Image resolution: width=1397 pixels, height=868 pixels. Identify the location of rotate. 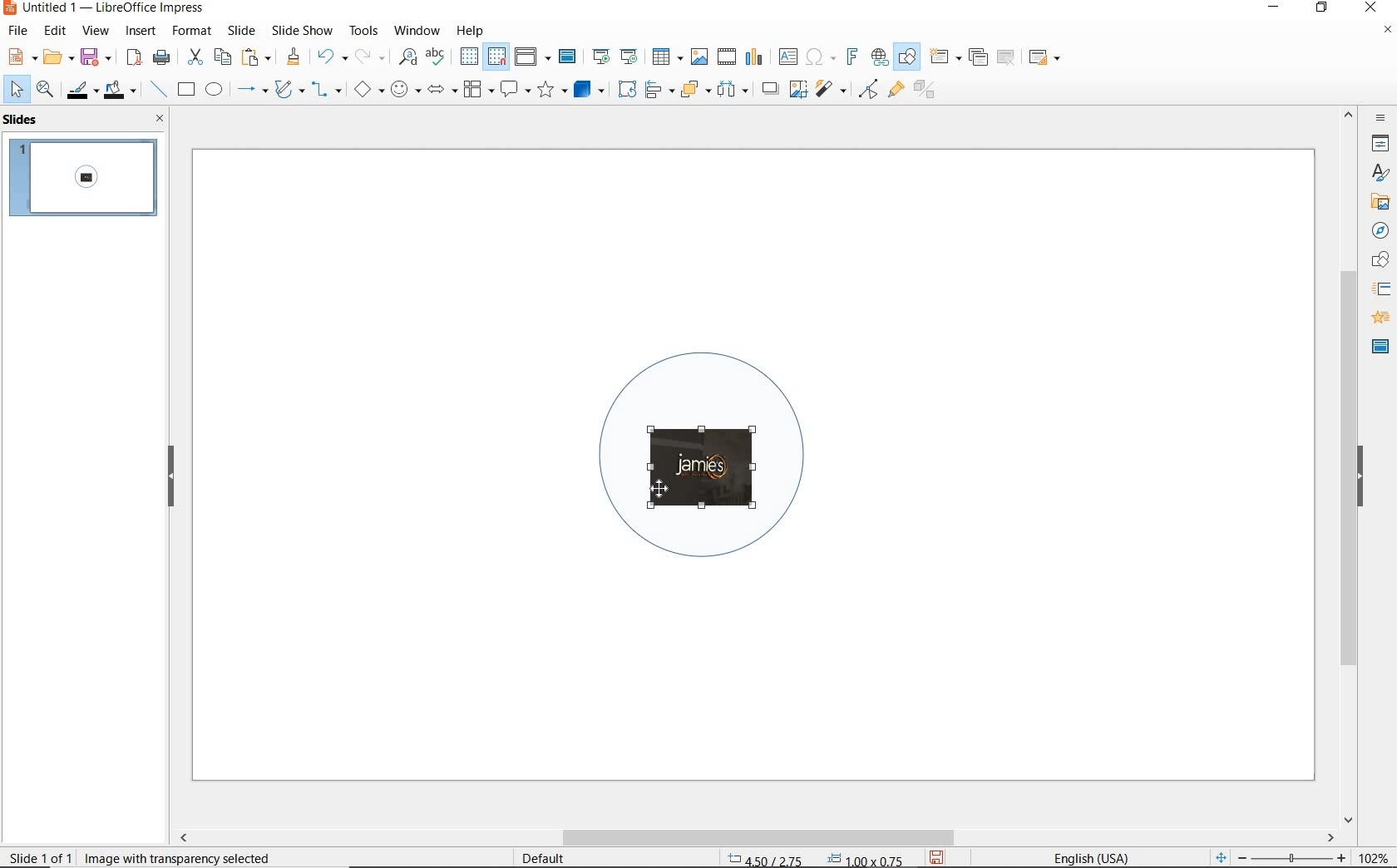
(624, 88).